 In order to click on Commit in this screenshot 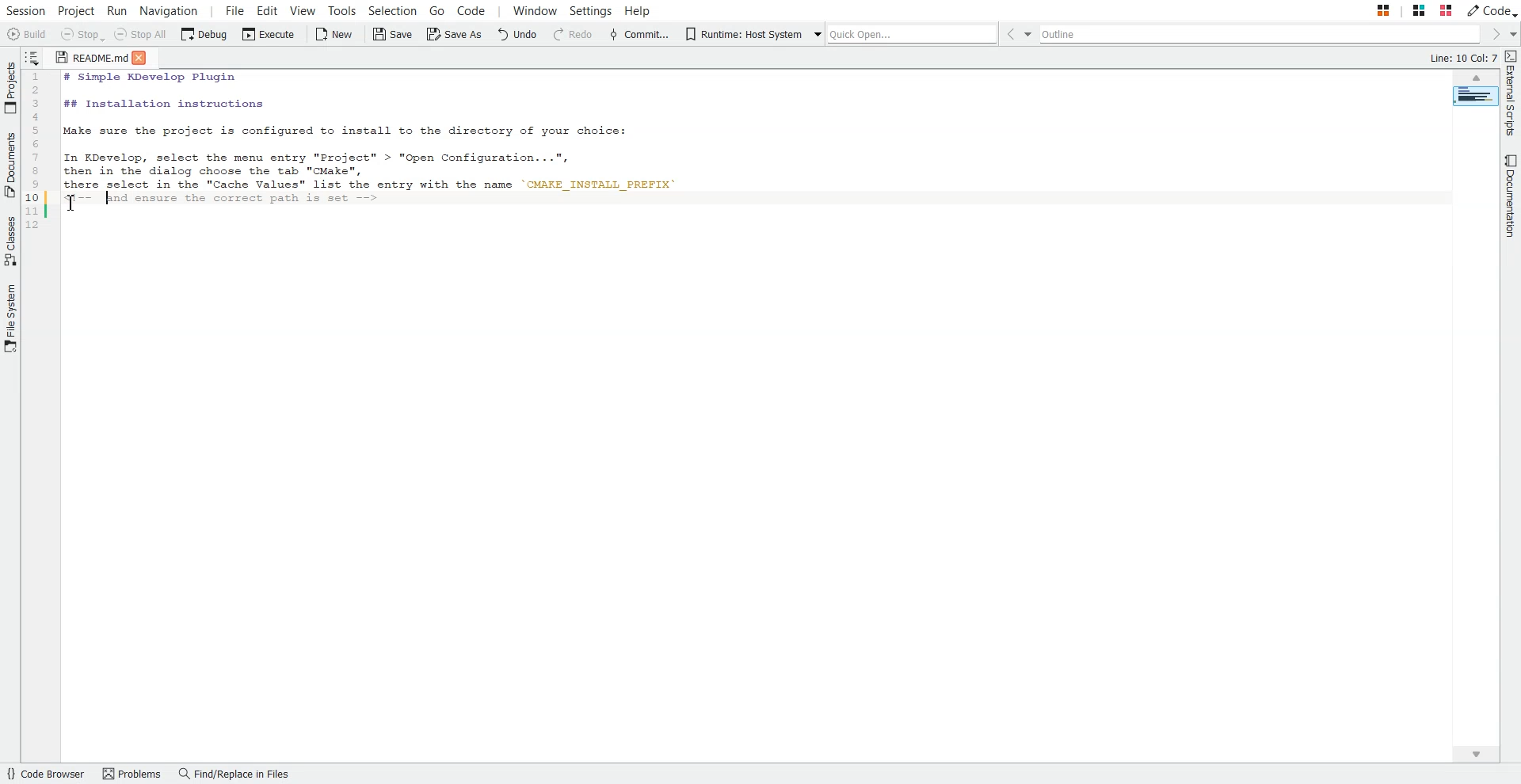, I will do `click(639, 35)`.